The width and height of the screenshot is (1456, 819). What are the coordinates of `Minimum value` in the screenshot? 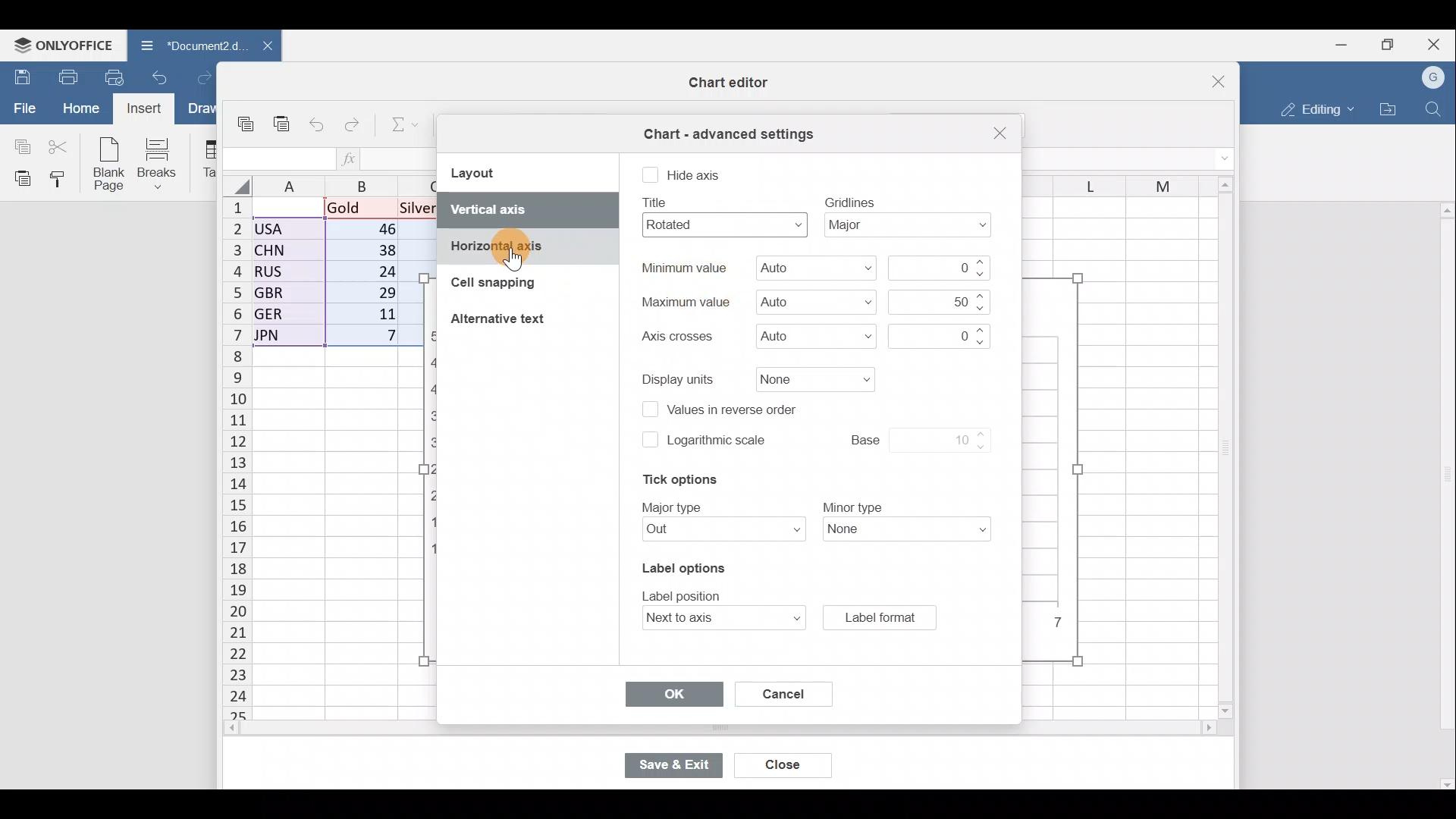 It's located at (808, 270).